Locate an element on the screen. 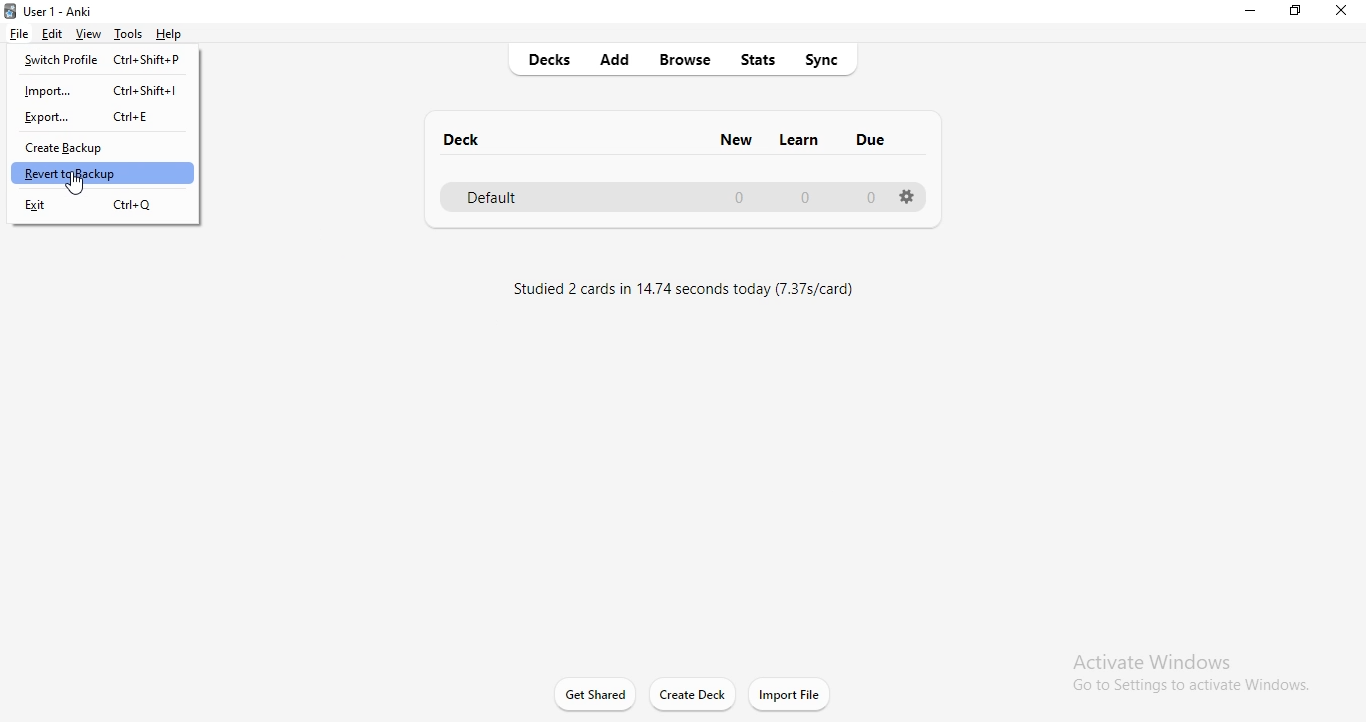 The width and height of the screenshot is (1366, 722). stats is located at coordinates (762, 58).